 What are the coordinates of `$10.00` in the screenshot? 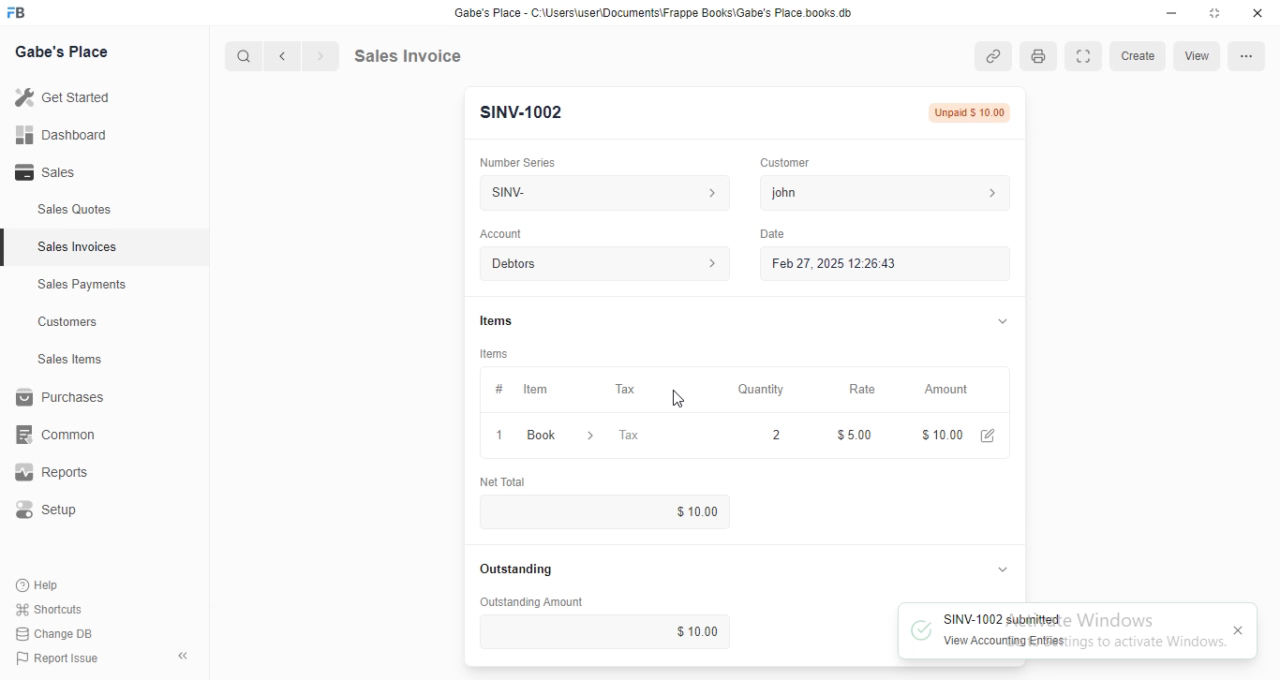 It's located at (697, 514).